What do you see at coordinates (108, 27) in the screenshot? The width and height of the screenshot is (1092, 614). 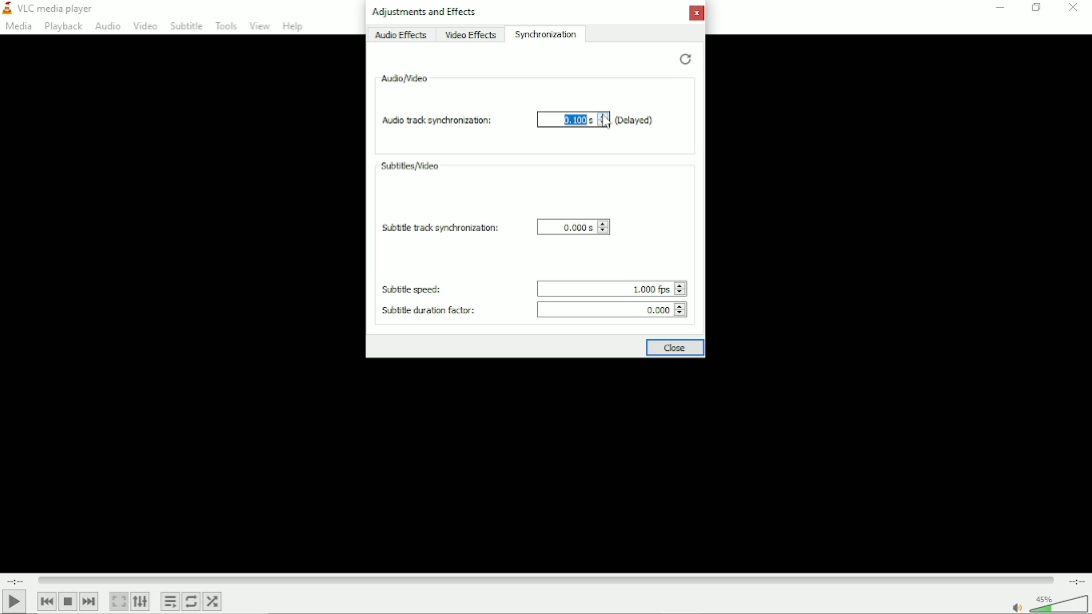 I see `Audio` at bounding box center [108, 27].